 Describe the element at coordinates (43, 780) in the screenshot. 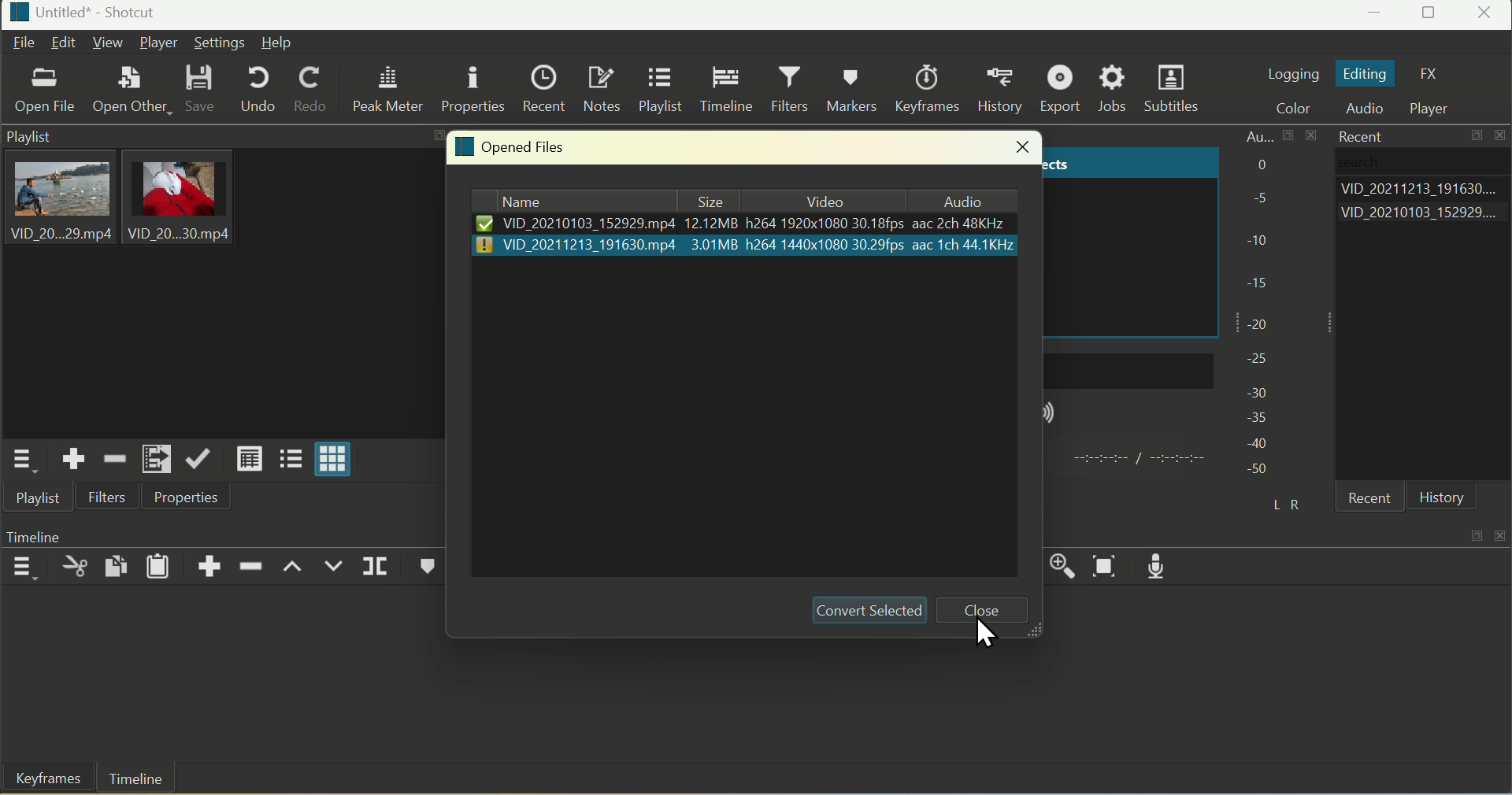

I see `Keyframes` at that location.